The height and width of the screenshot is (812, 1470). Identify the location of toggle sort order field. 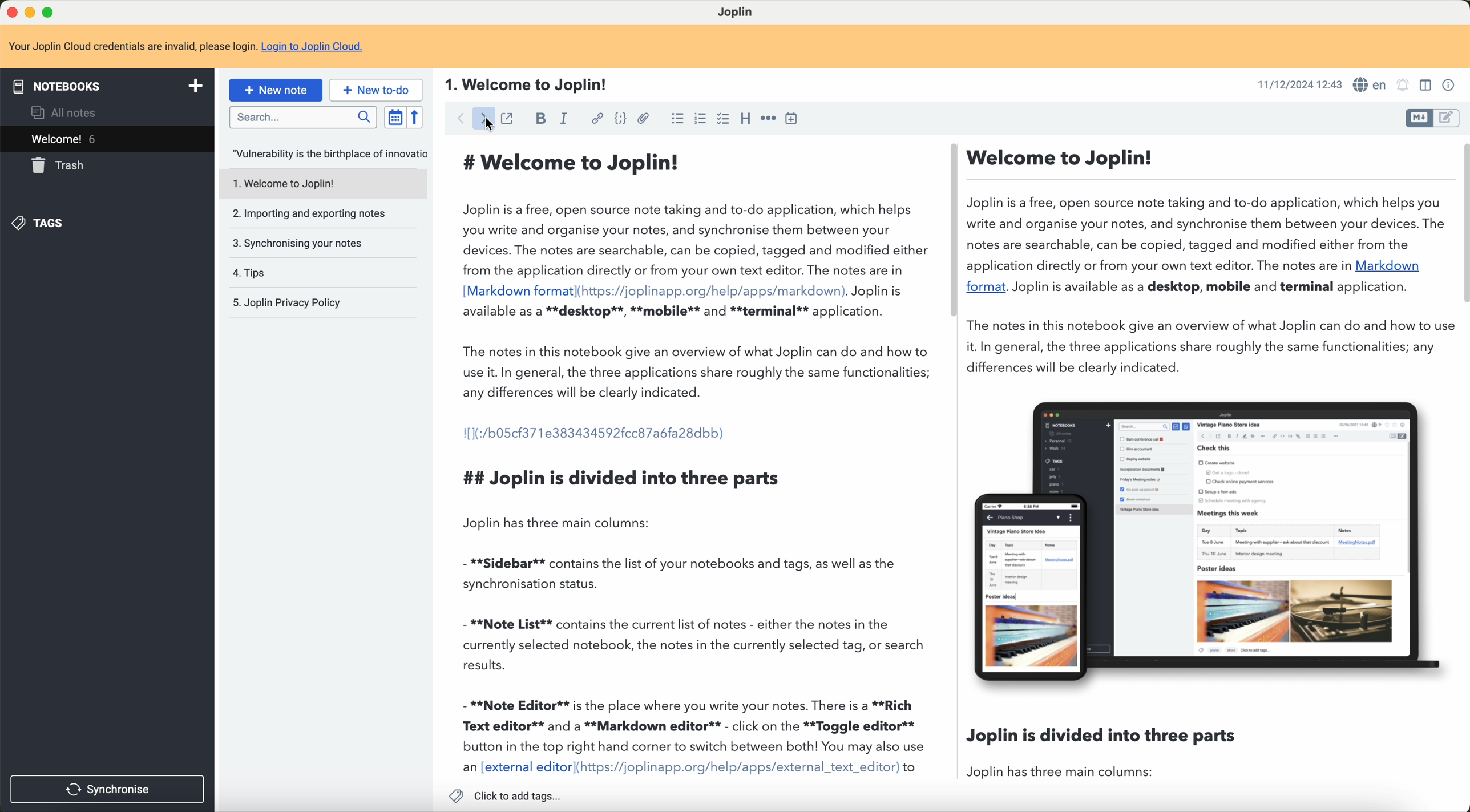
(392, 116).